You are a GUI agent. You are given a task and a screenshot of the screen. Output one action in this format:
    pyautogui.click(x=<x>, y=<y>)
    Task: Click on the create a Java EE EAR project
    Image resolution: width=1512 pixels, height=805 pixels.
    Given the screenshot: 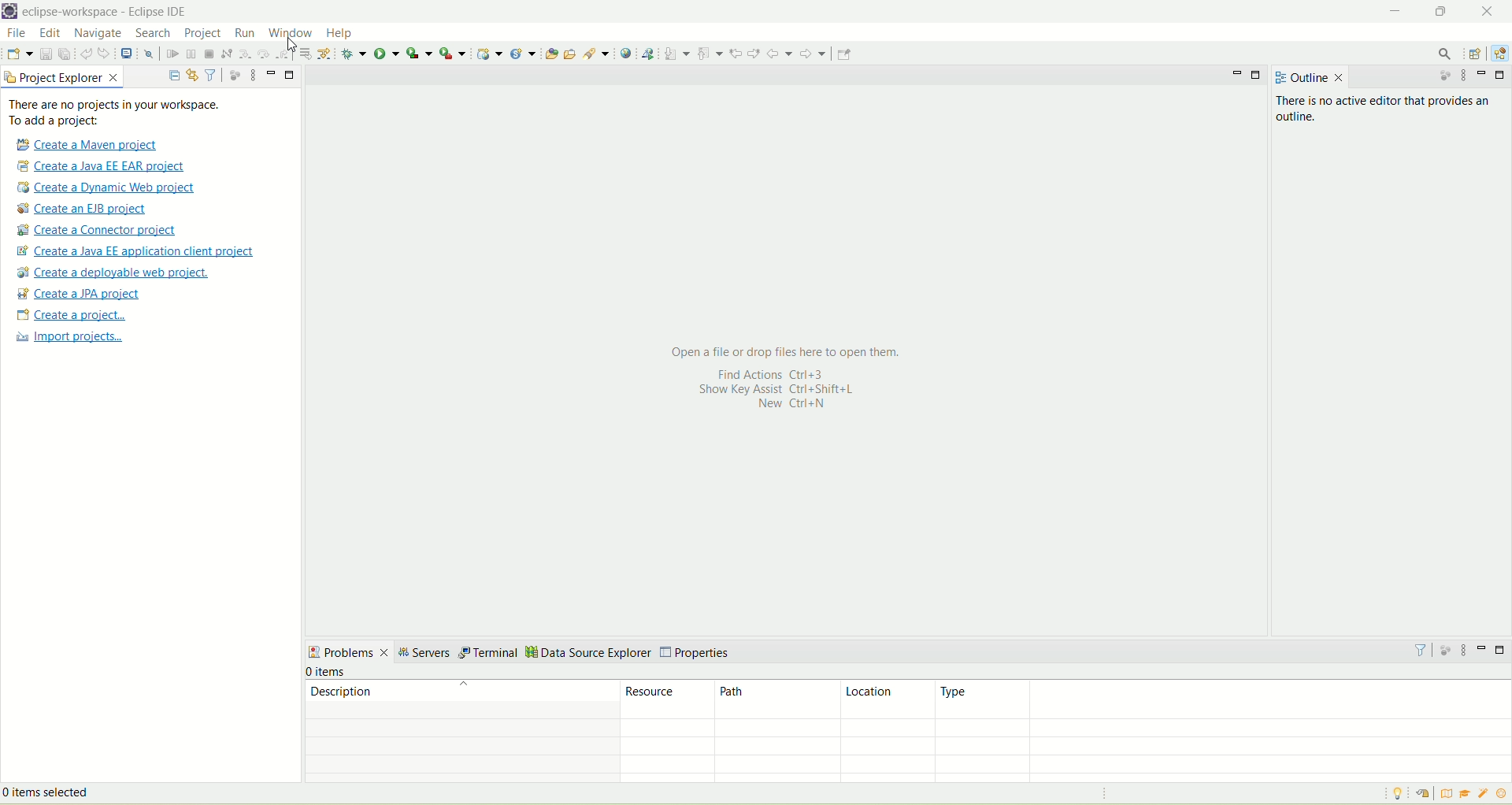 What is the action you would take?
    pyautogui.click(x=102, y=166)
    